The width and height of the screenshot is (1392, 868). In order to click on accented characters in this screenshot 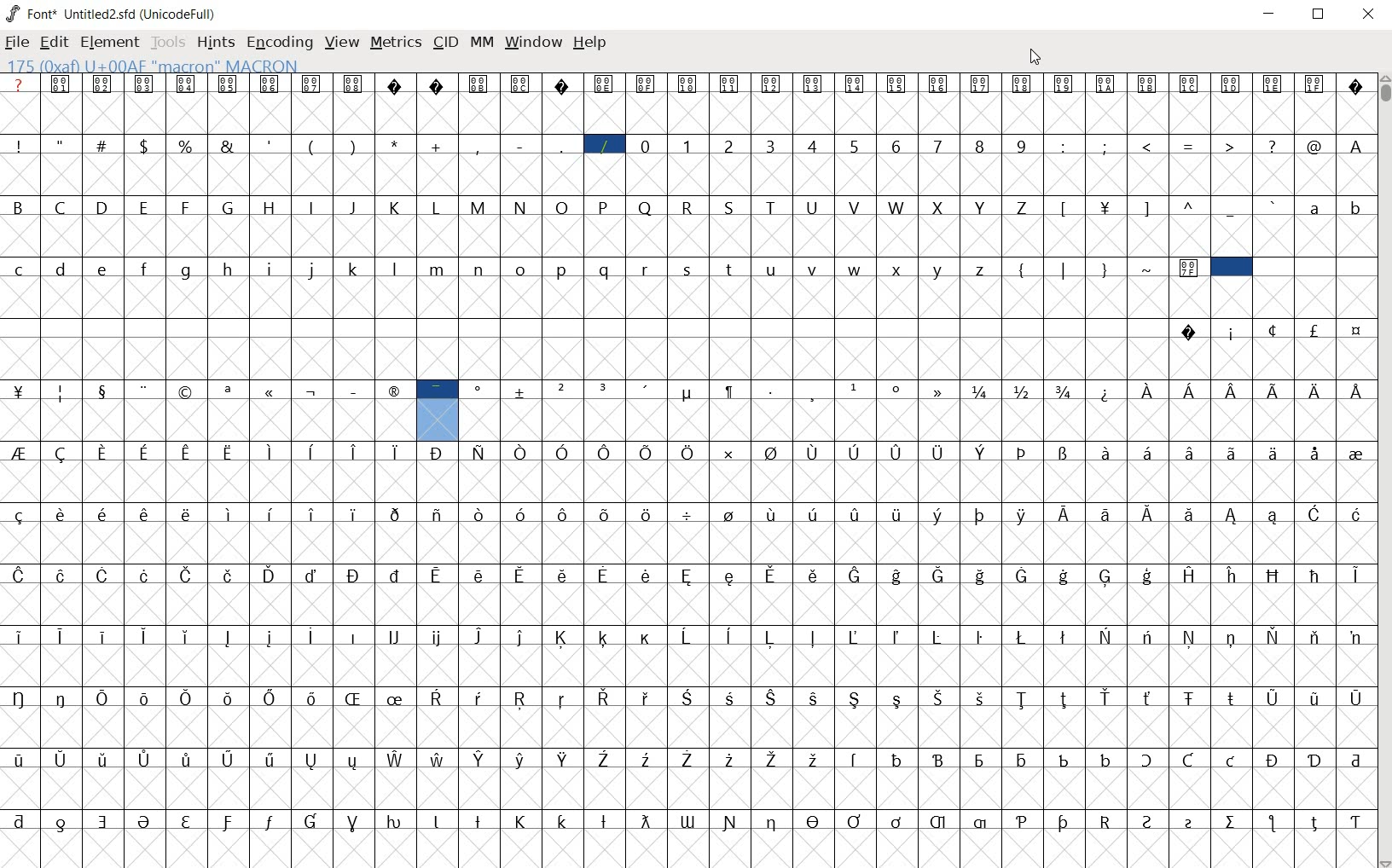, I will do `click(252, 472)`.